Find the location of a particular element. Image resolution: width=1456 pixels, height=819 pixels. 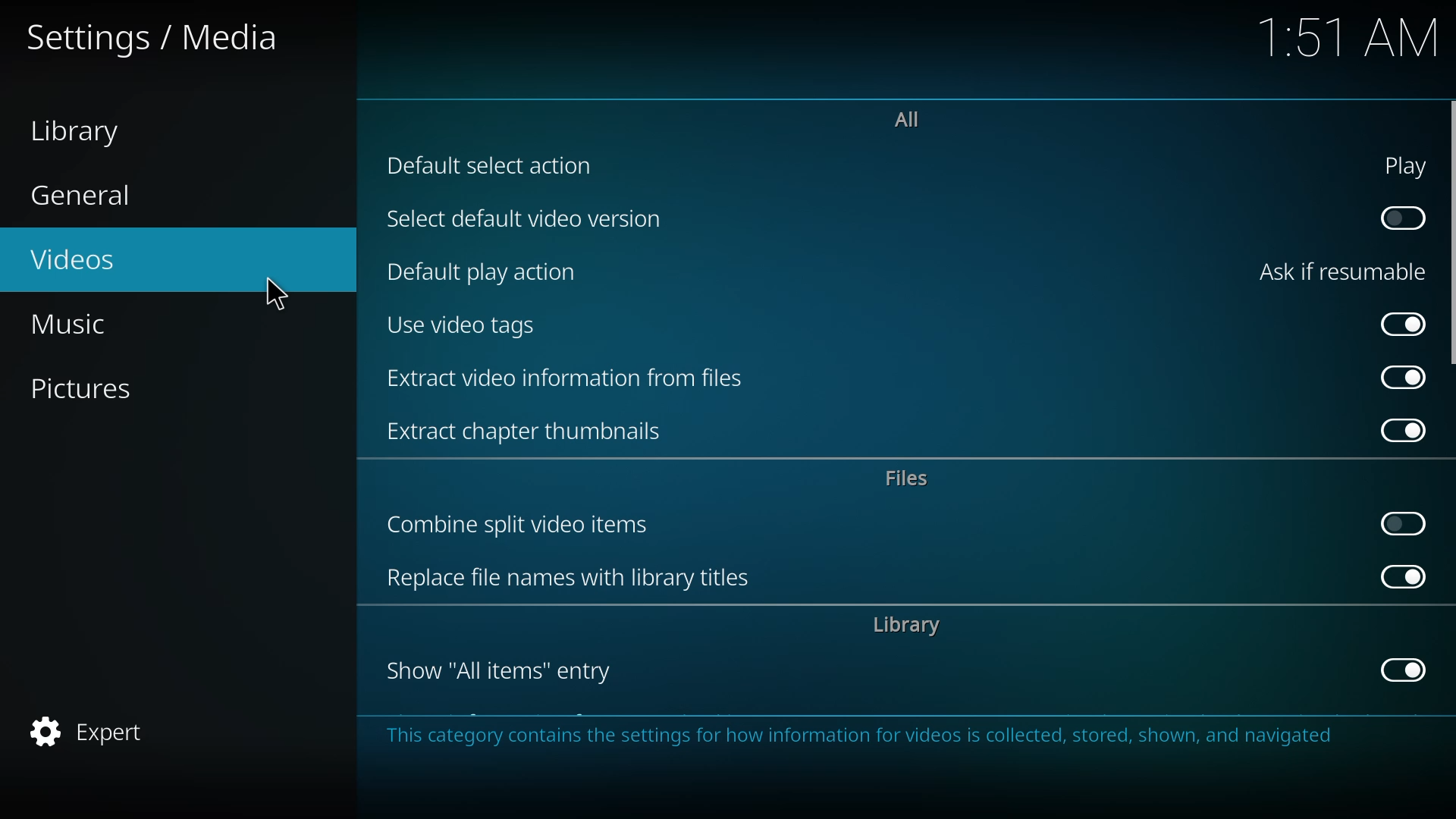

videos is located at coordinates (88, 256).